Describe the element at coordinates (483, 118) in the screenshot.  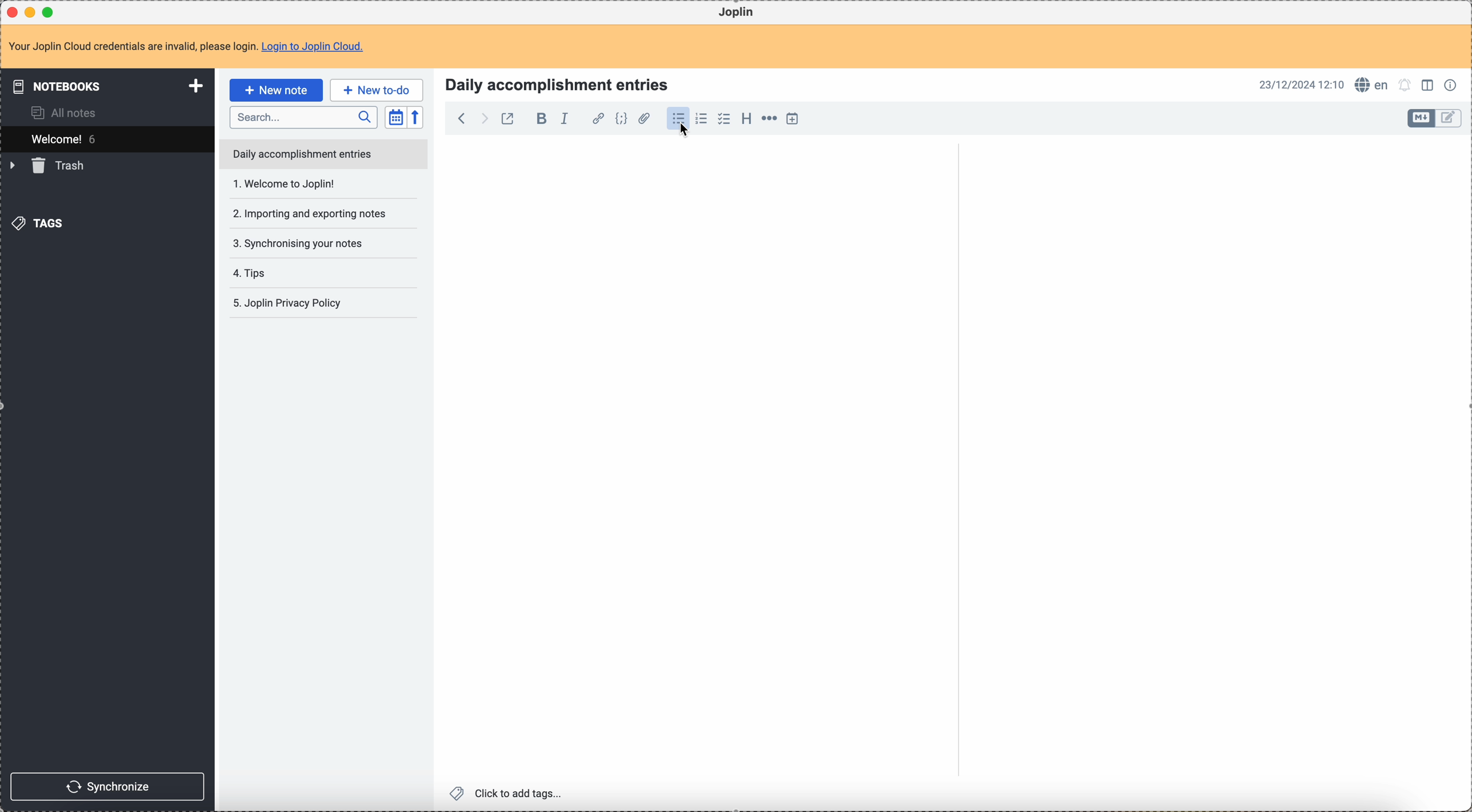
I see `foward` at that location.